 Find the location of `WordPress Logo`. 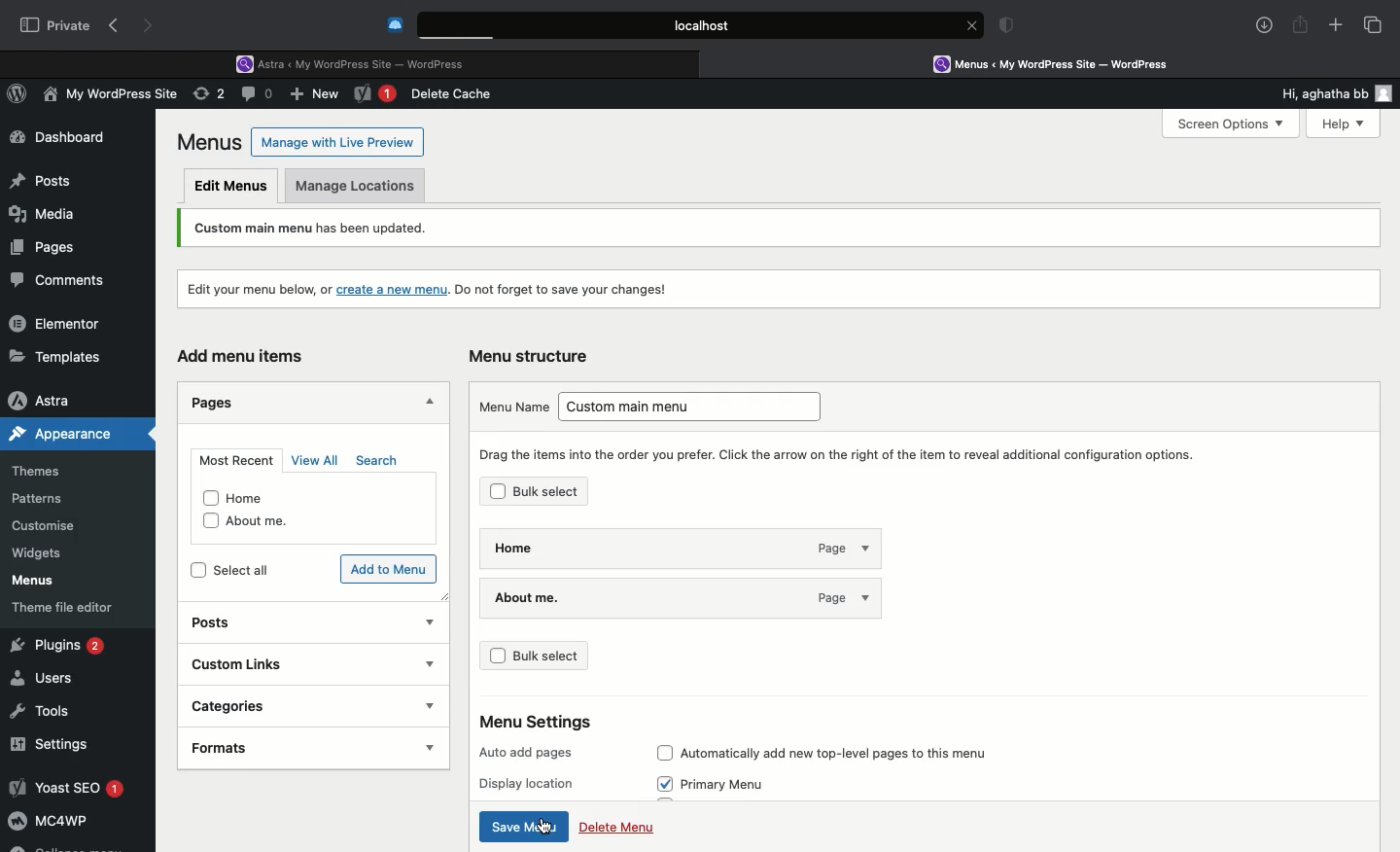

WordPress Logo is located at coordinates (20, 96).